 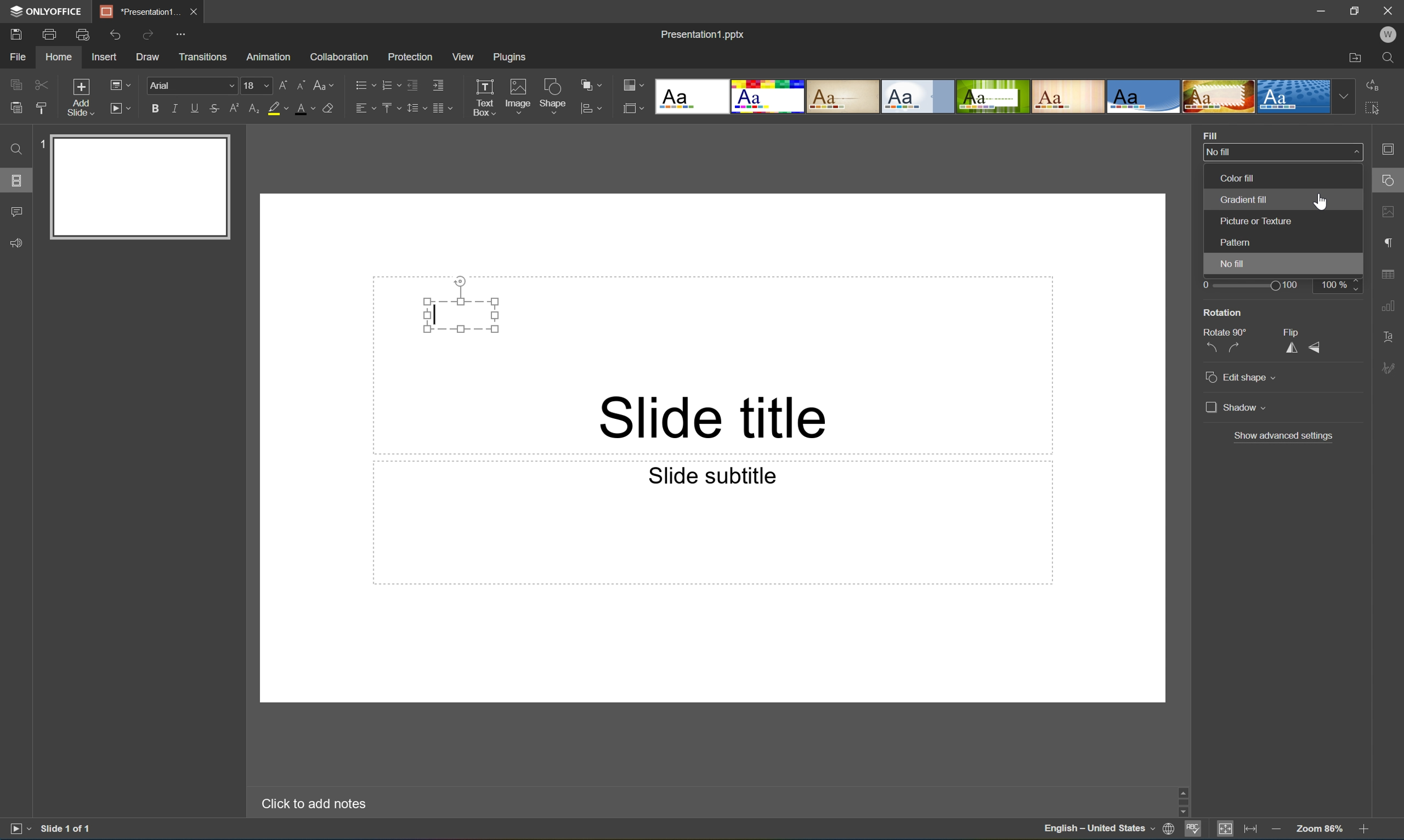 What do you see at coordinates (13, 149) in the screenshot?
I see `Find` at bounding box center [13, 149].